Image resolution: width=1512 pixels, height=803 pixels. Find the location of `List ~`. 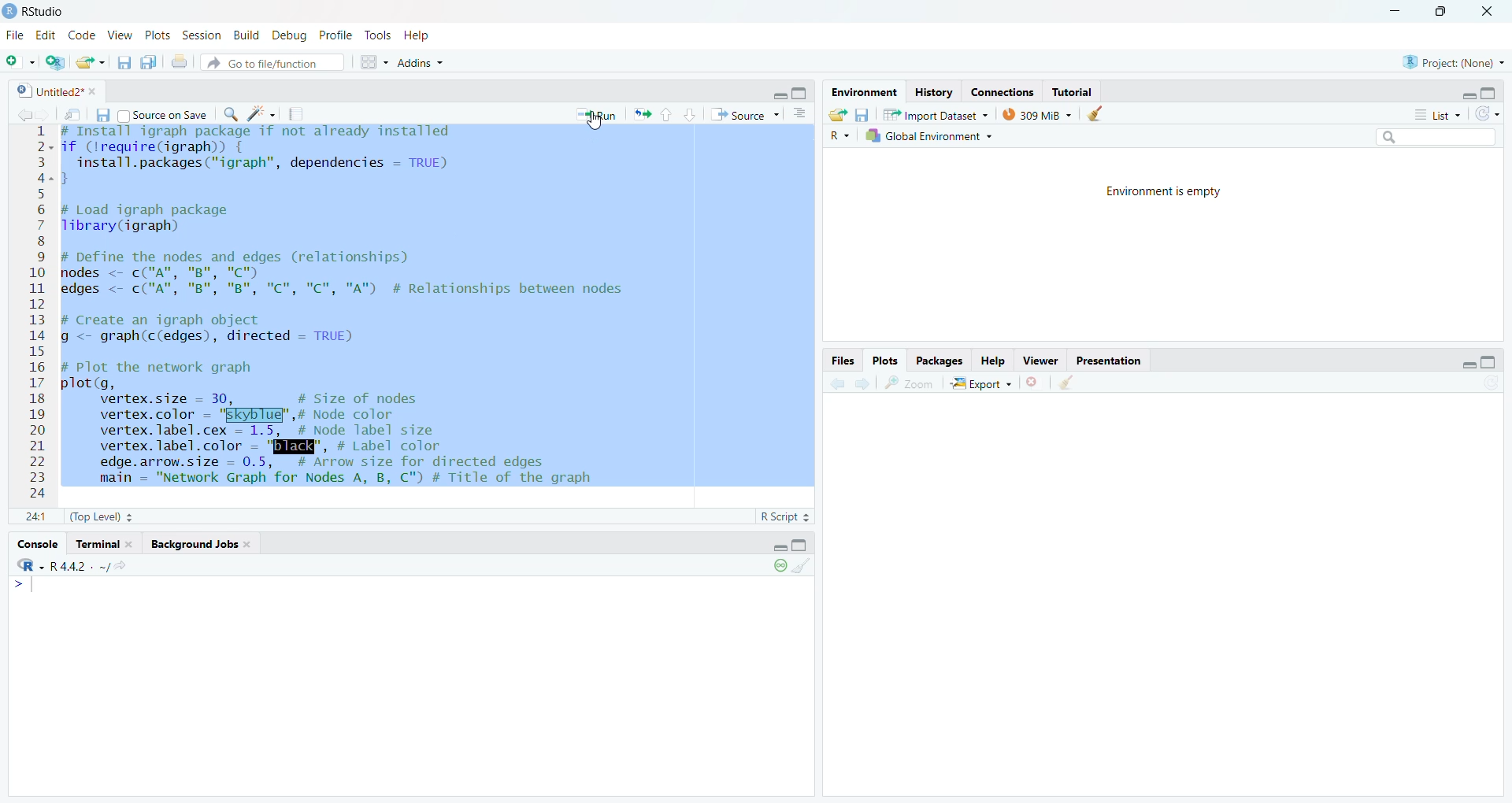

List ~ is located at coordinates (1432, 113).